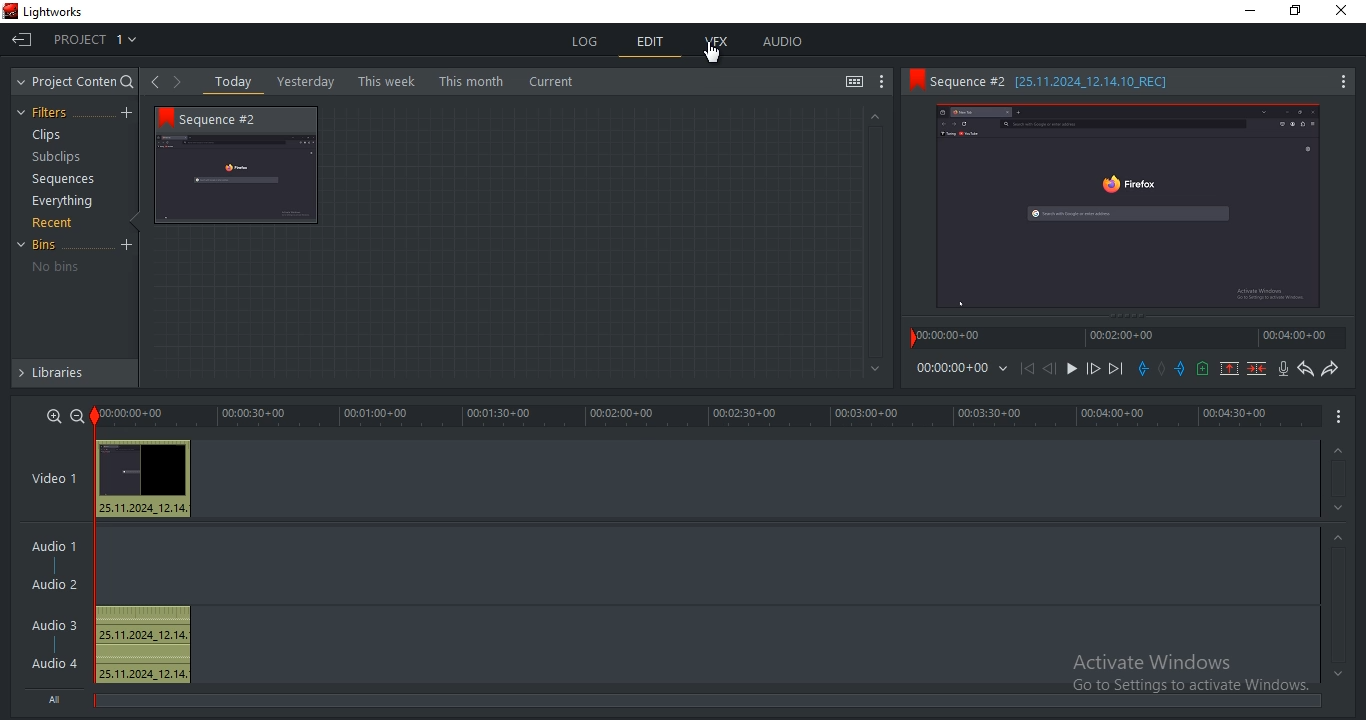 This screenshot has height=720, width=1366. I want to click on everything, so click(61, 201).